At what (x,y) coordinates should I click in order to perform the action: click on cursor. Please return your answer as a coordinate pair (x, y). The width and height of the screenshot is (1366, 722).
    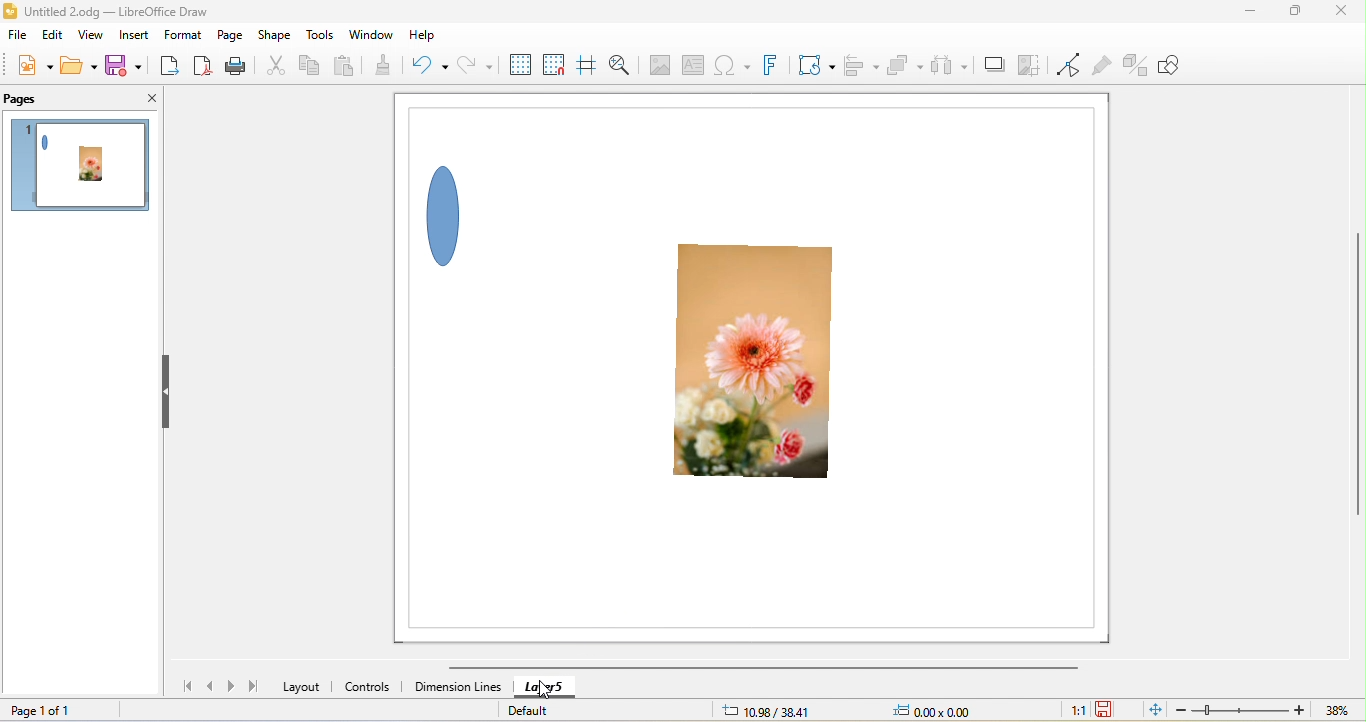
    Looking at the image, I should click on (544, 689).